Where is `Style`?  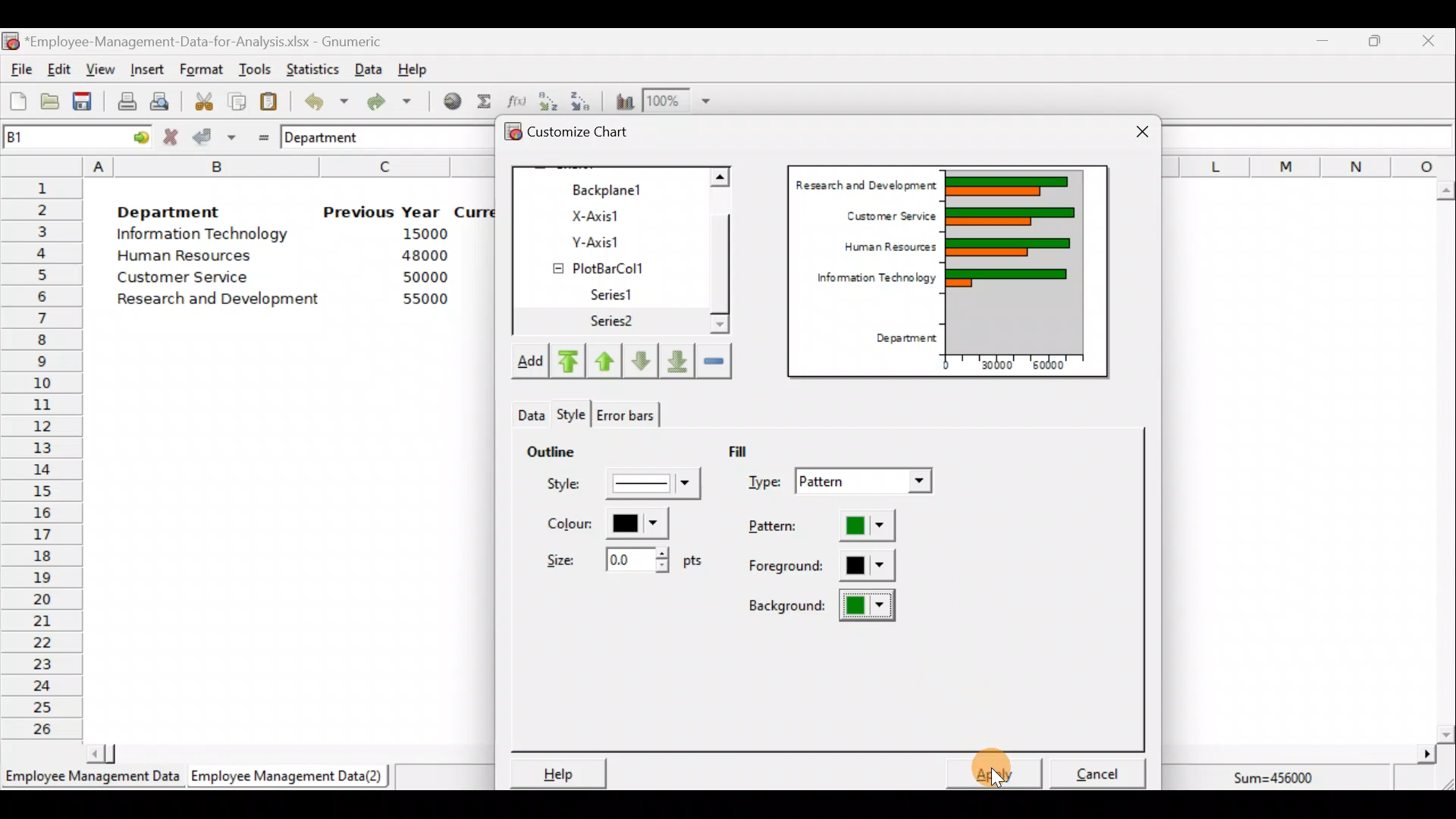 Style is located at coordinates (626, 488).